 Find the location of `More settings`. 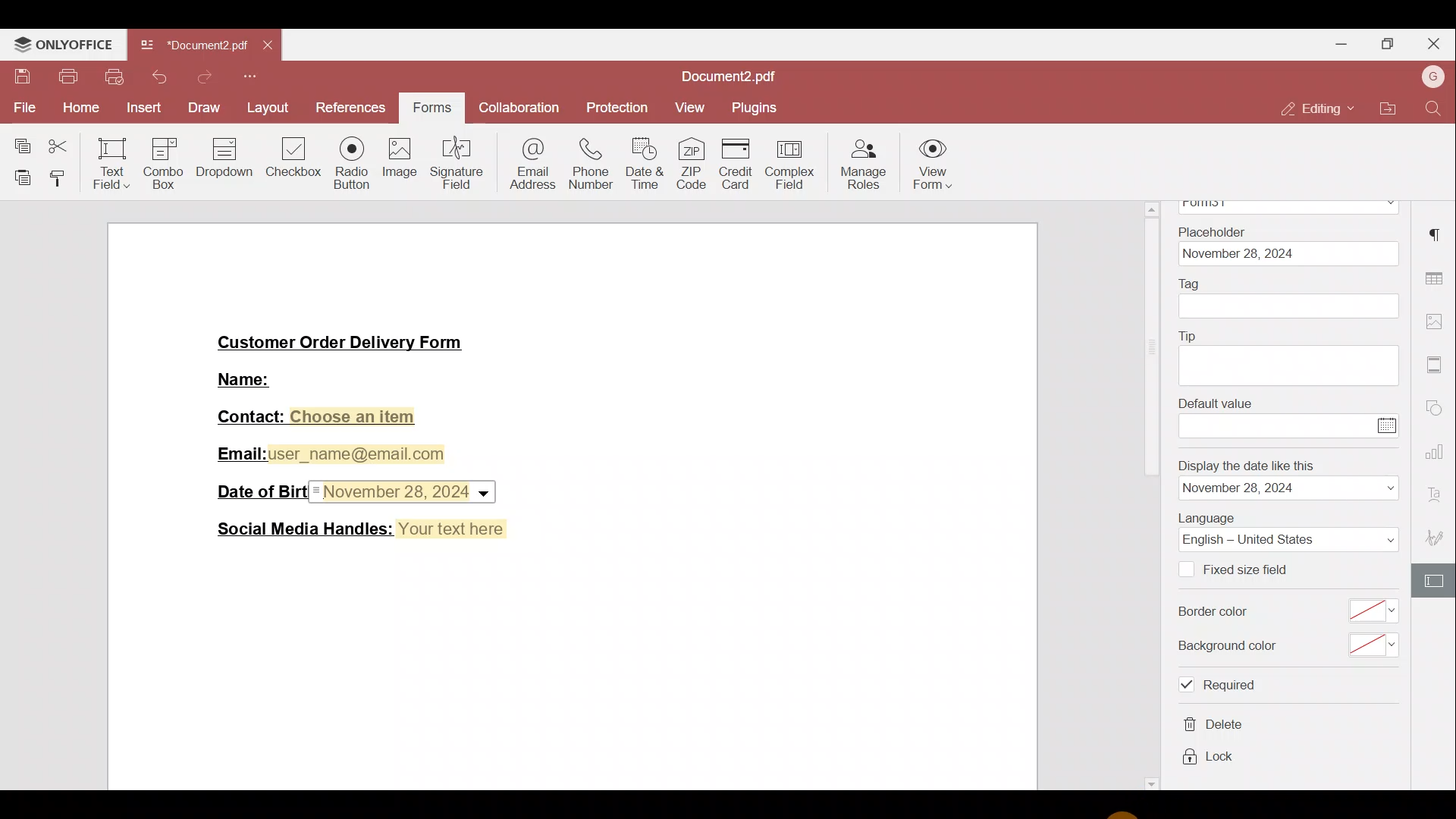

More settings is located at coordinates (1436, 365).